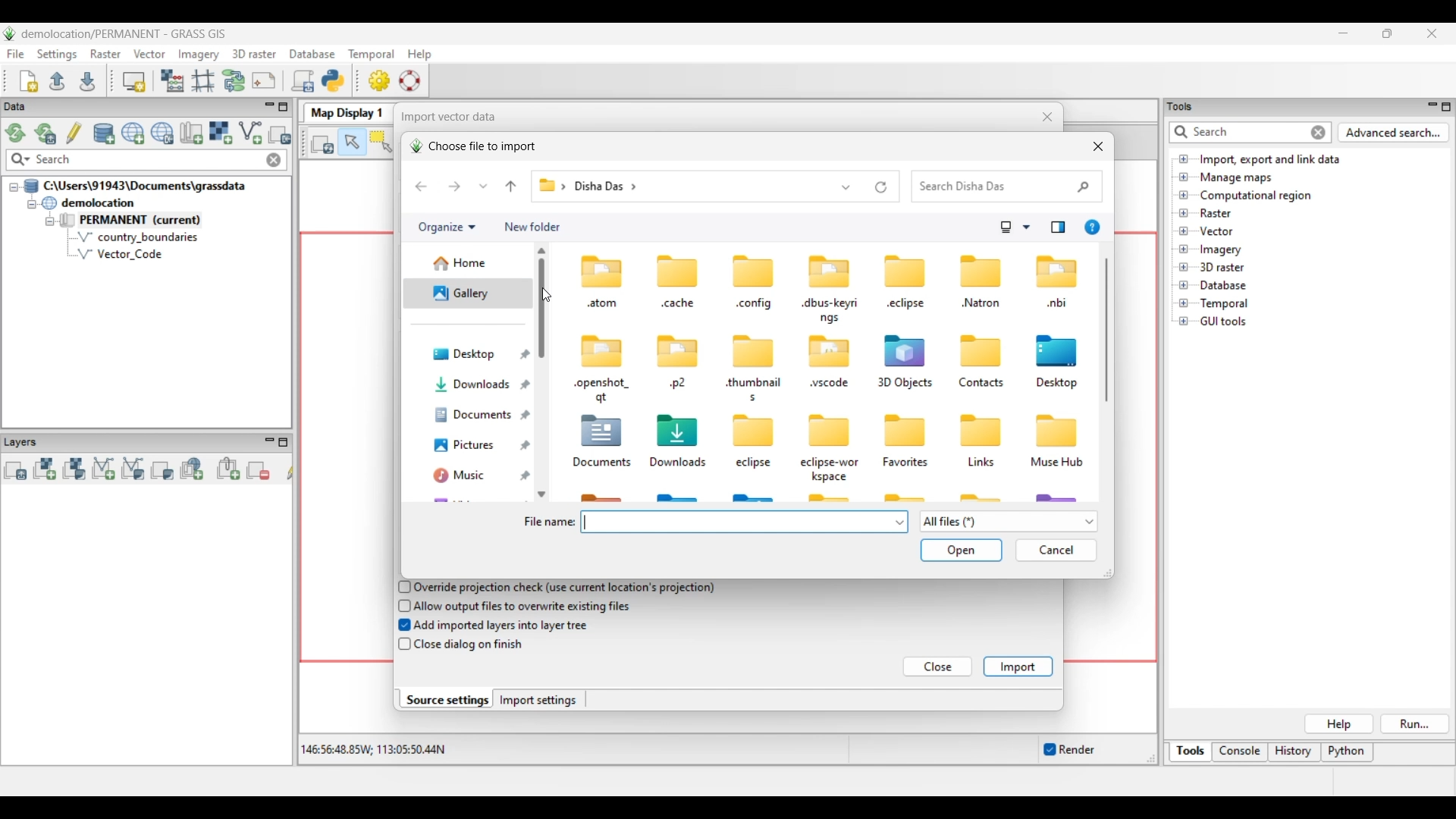  Describe the element at coordinates (603, 391) in the screenshot. I see `-openshot_
at` at that location.